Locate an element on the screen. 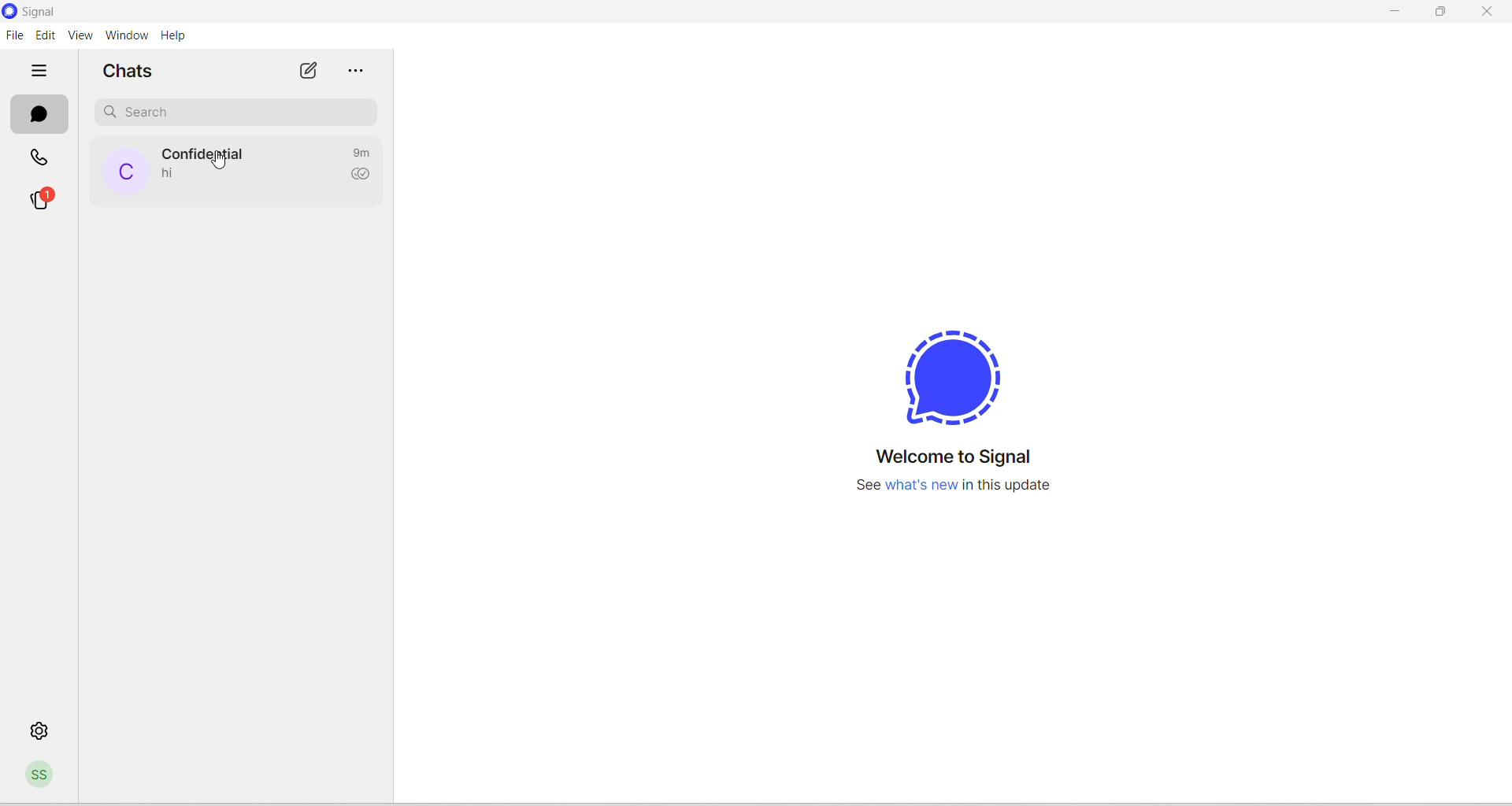 This screenshot has height=806, width=1512. minimize is located at coordinates (1395, 14).